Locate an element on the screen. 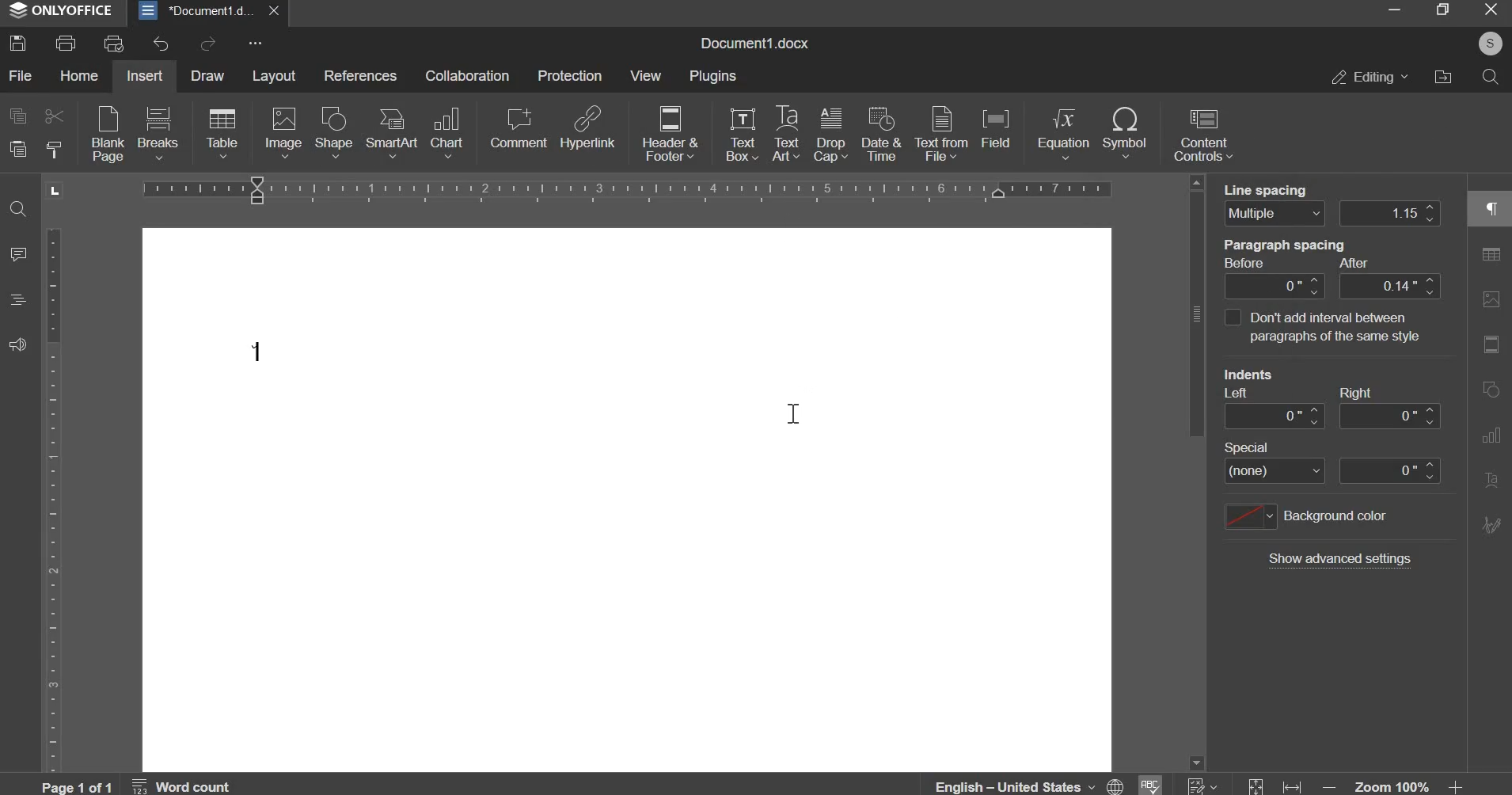 The height and width of the screenshot is (795, 1512). line spacing distance is located at coordinates (1390, 213).